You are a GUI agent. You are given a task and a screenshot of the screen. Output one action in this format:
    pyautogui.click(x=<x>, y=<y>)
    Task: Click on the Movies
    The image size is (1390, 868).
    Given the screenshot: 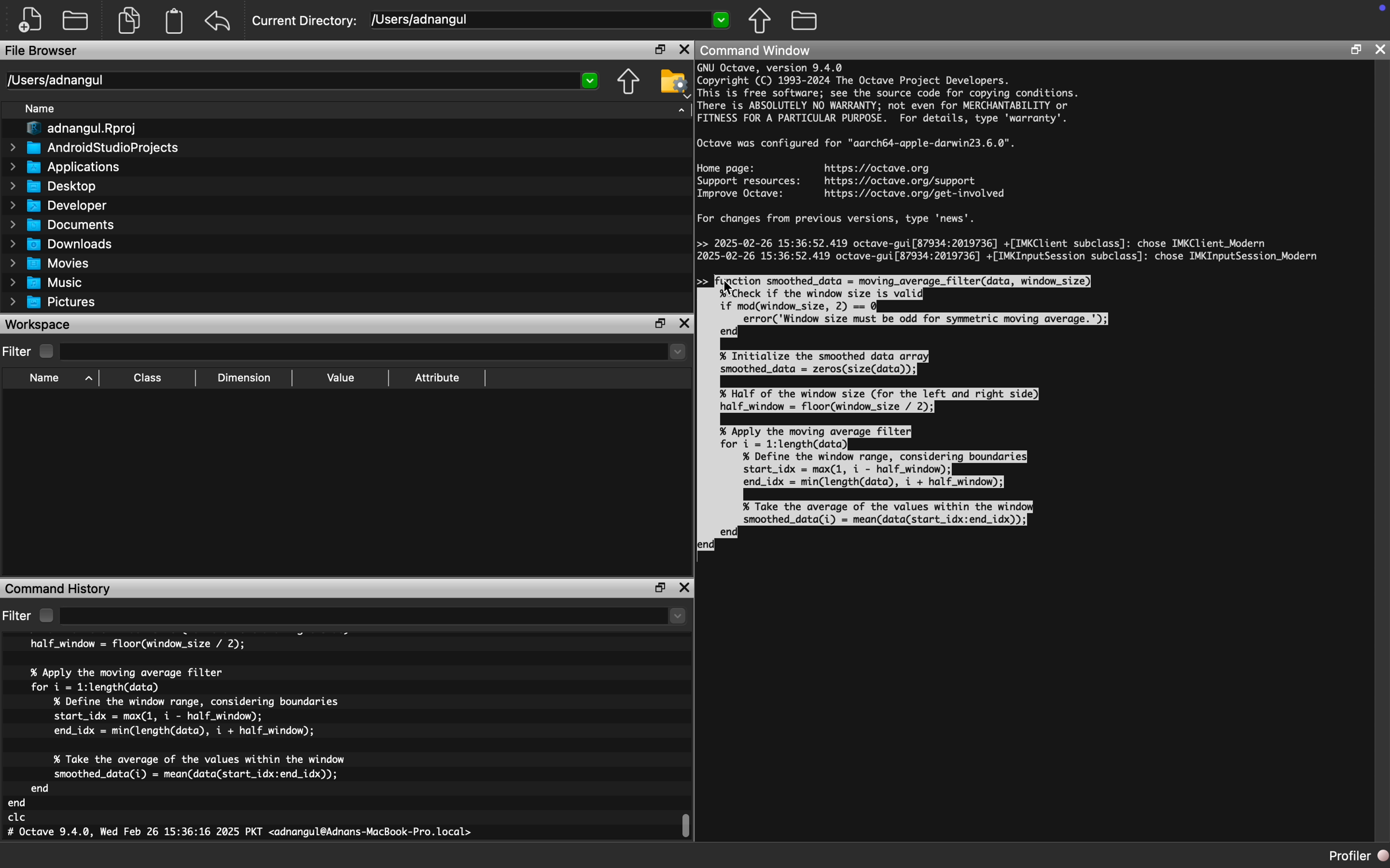 What is the action you would take?
    pyautogui.click(x=50, y=264)
    